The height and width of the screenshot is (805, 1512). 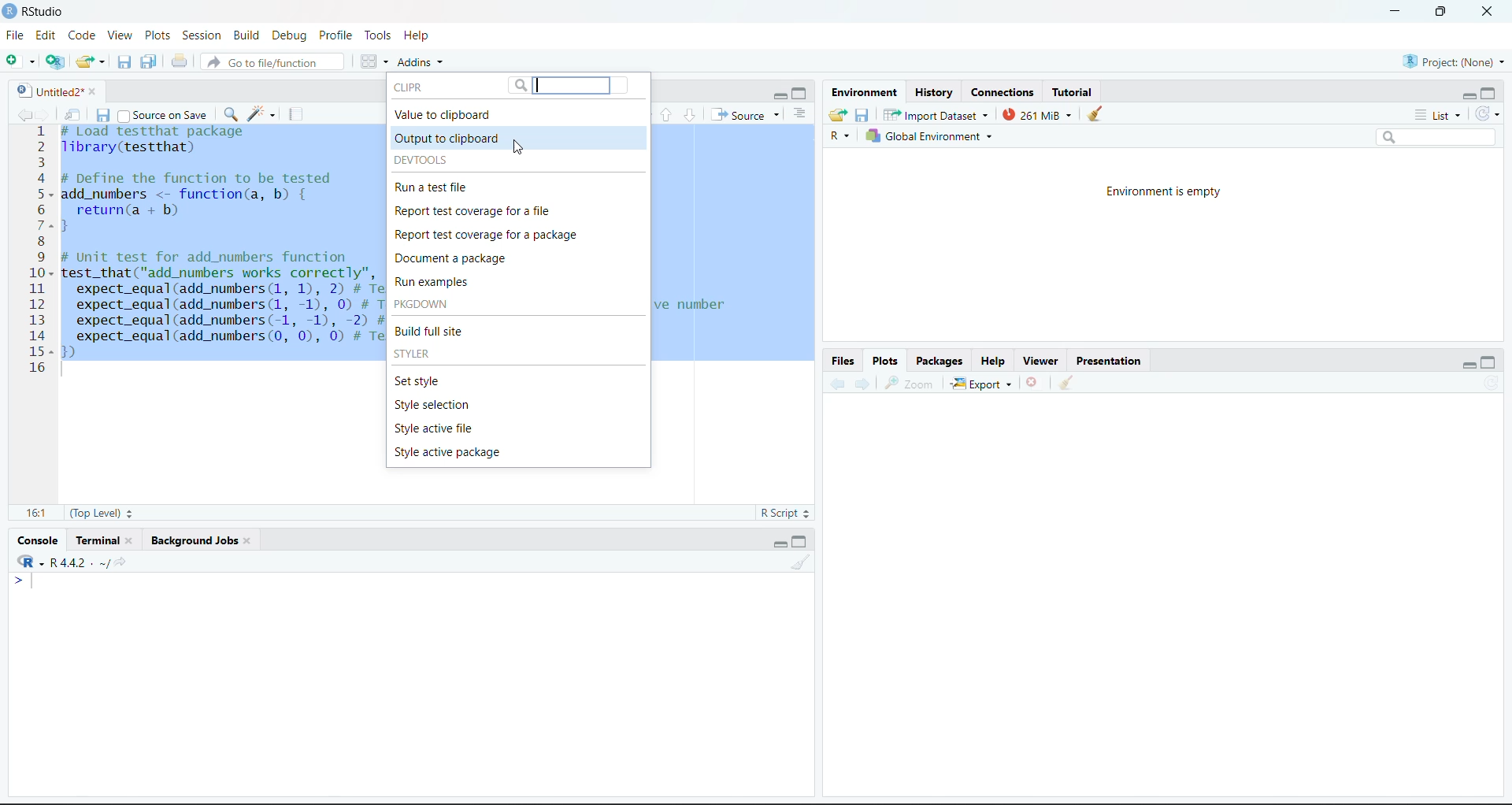 I want to click on 16:1, so click(x=35, y=512).